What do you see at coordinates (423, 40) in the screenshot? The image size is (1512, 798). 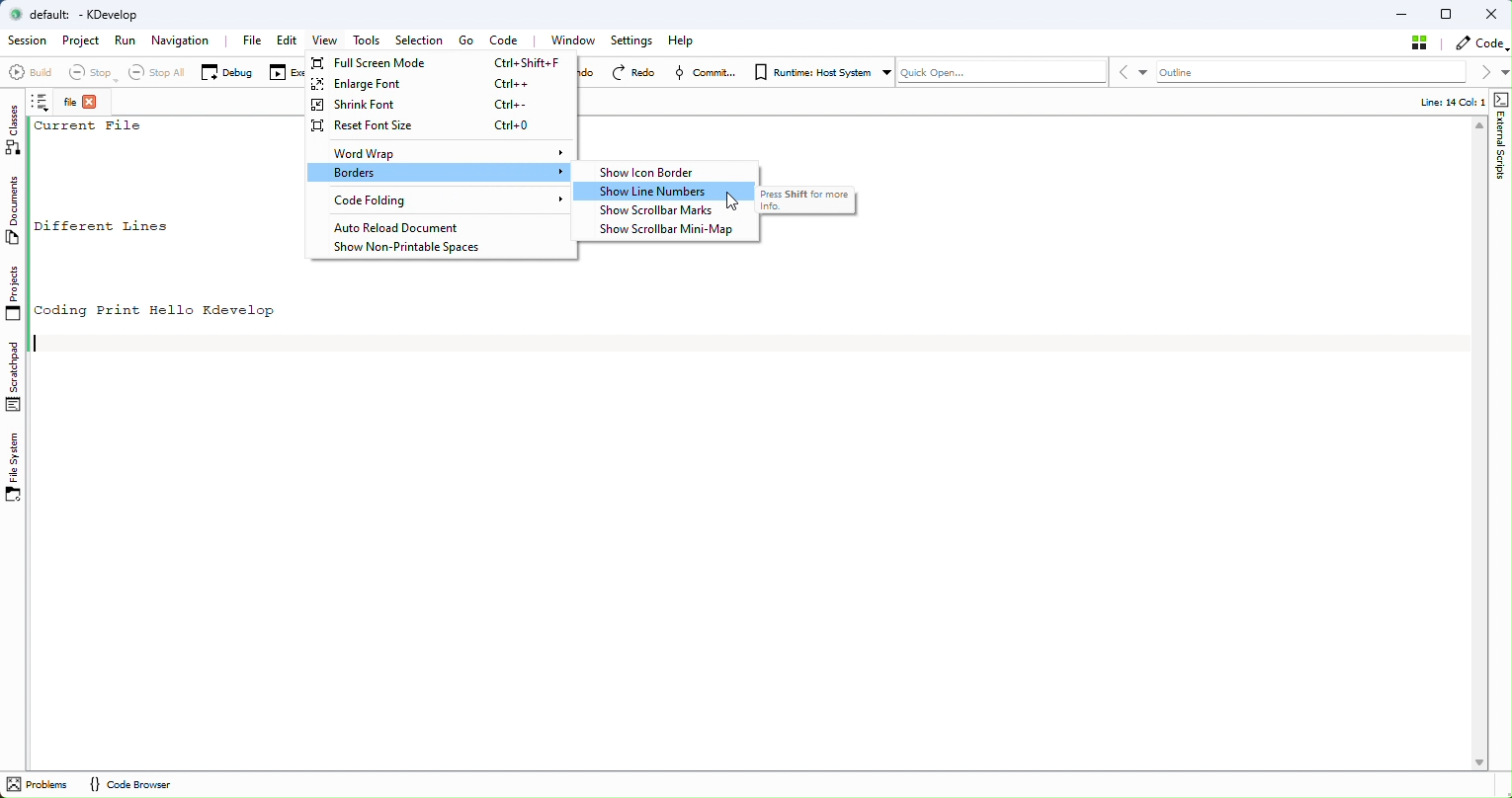 I see `Selection` at bounding box center [423, 40].